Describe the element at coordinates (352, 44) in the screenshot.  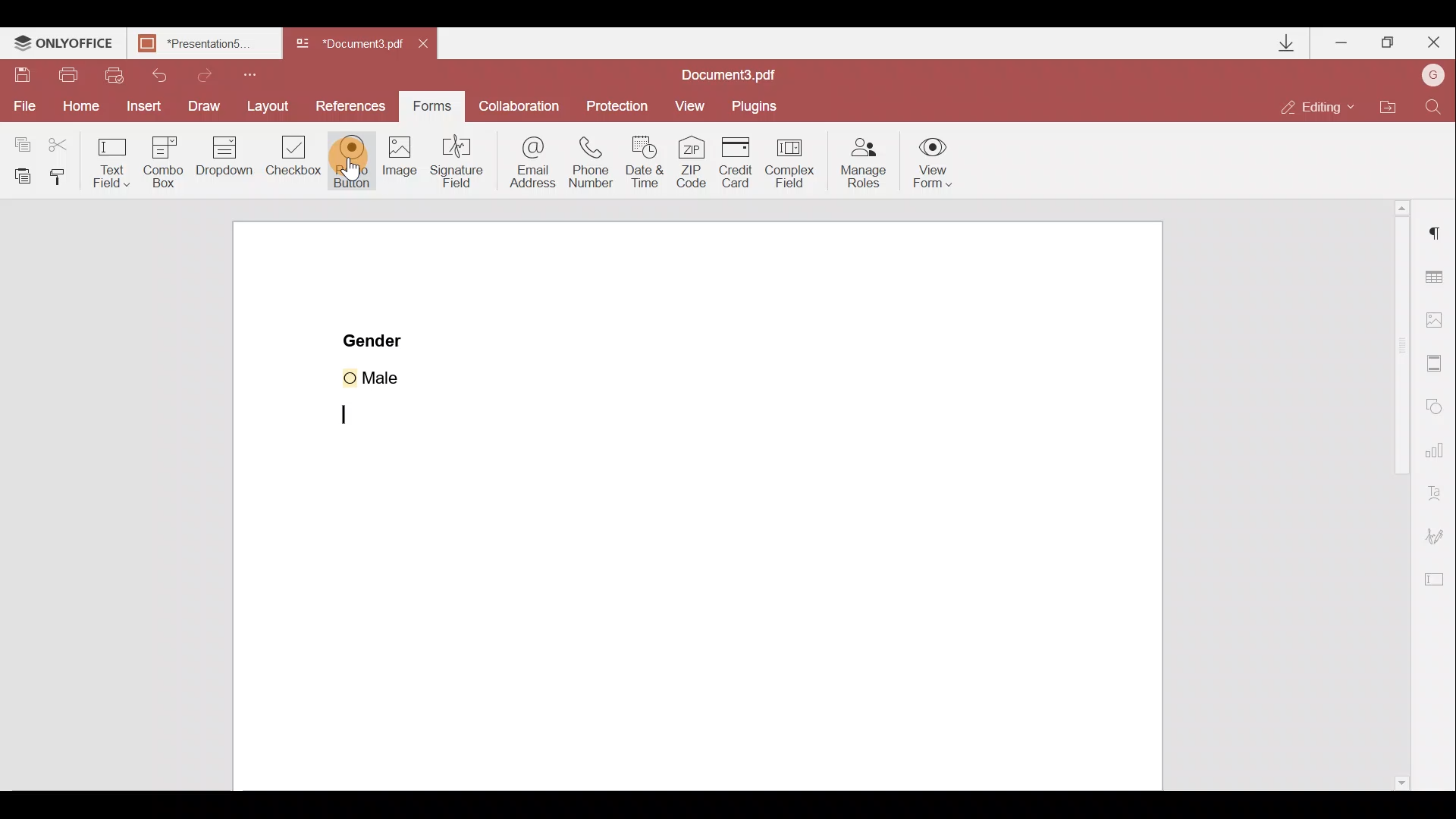
I see `Document name` at that location.